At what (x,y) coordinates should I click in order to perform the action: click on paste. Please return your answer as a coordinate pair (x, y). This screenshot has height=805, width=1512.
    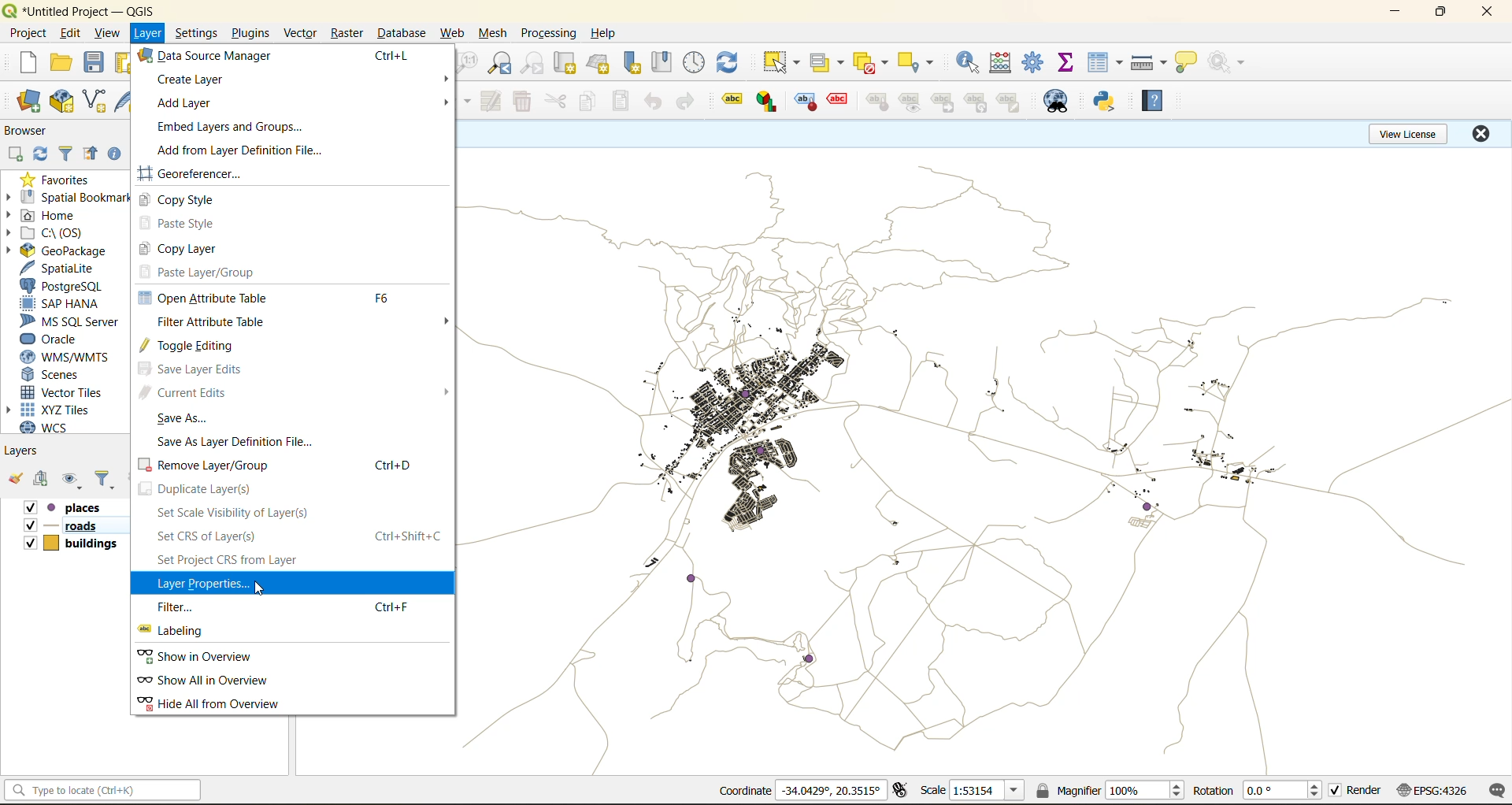
    Looking at the image, I should click on (626, 101).